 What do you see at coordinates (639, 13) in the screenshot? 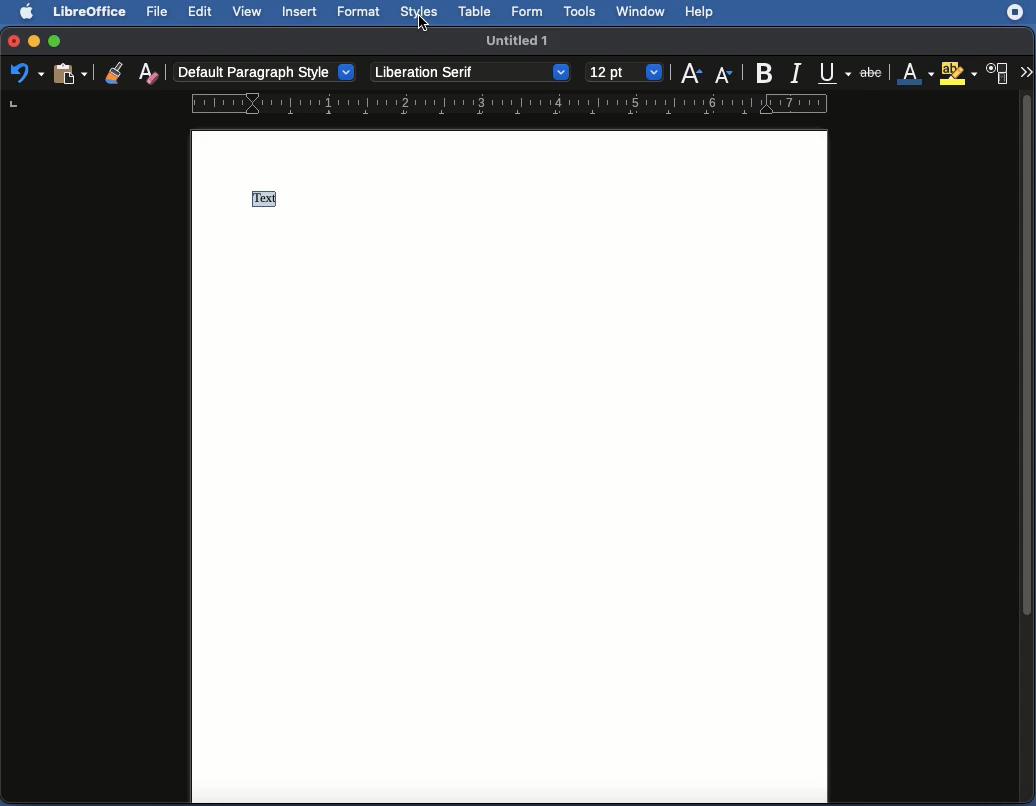
I see `Window` at bounding box center [639, 13].